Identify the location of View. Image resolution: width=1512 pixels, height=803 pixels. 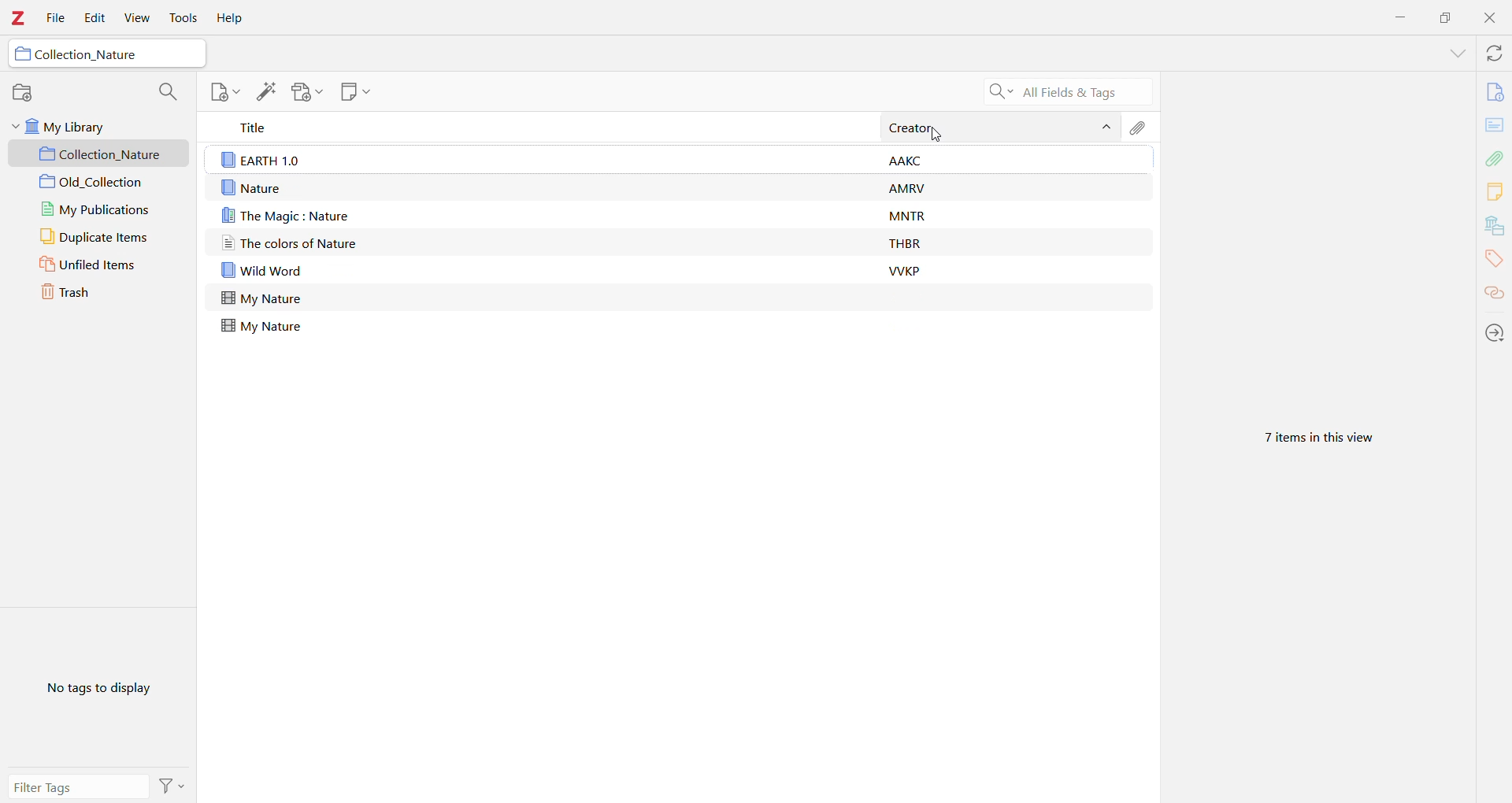
(138, 17).